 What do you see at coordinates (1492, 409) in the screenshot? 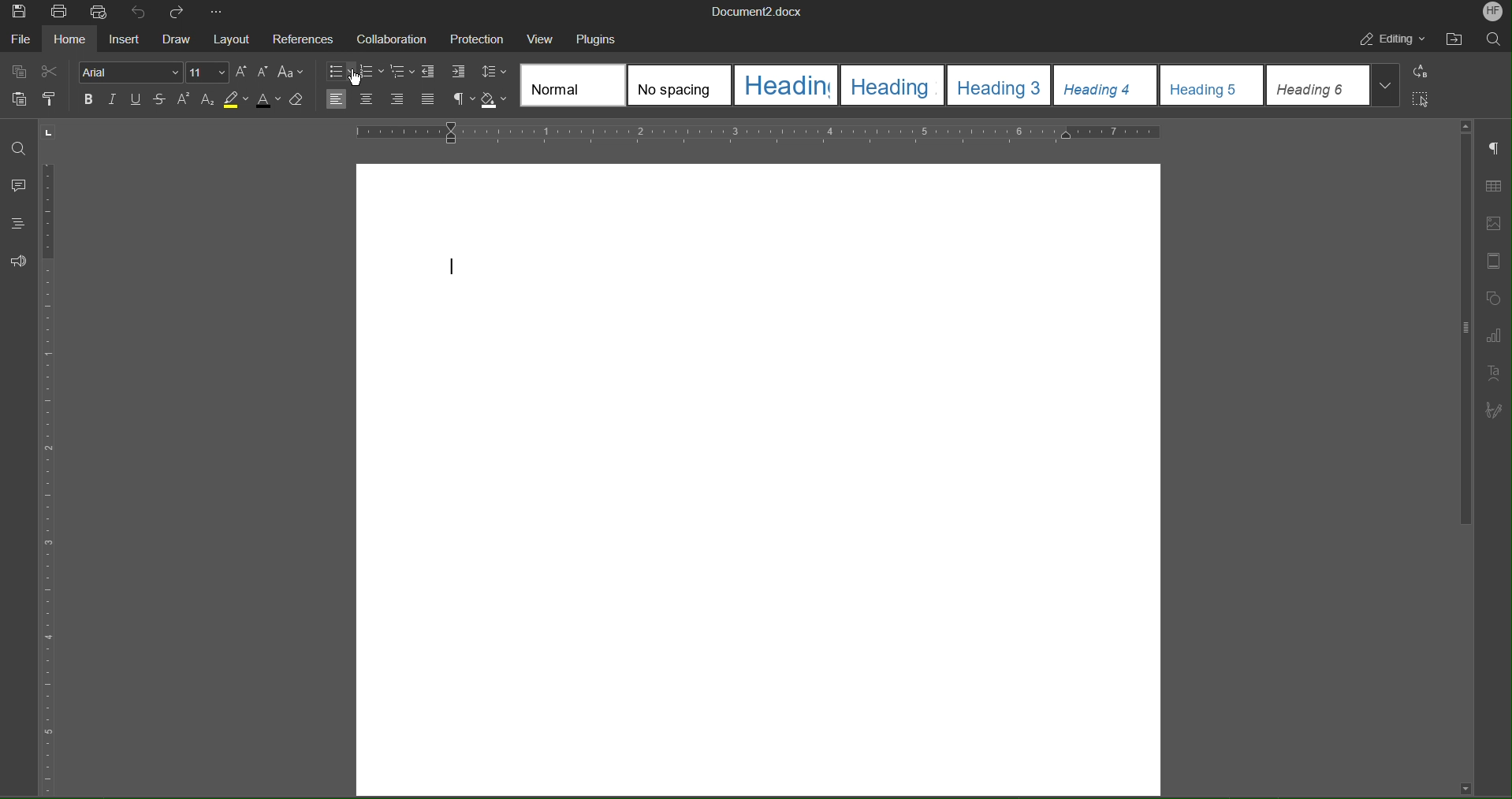
I see `Signature` at bounding box center [1492, 409].